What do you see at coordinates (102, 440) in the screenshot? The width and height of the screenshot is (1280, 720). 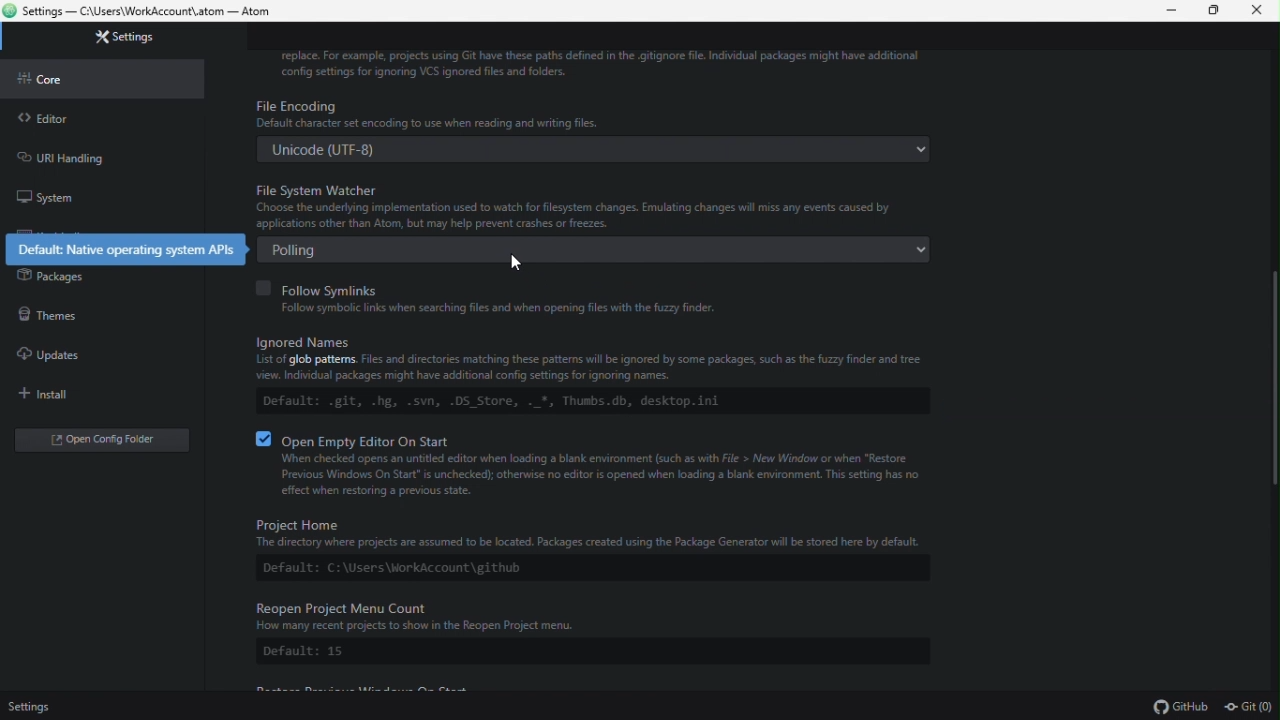 I see `open Config editor` at bounding box center [102, 440].